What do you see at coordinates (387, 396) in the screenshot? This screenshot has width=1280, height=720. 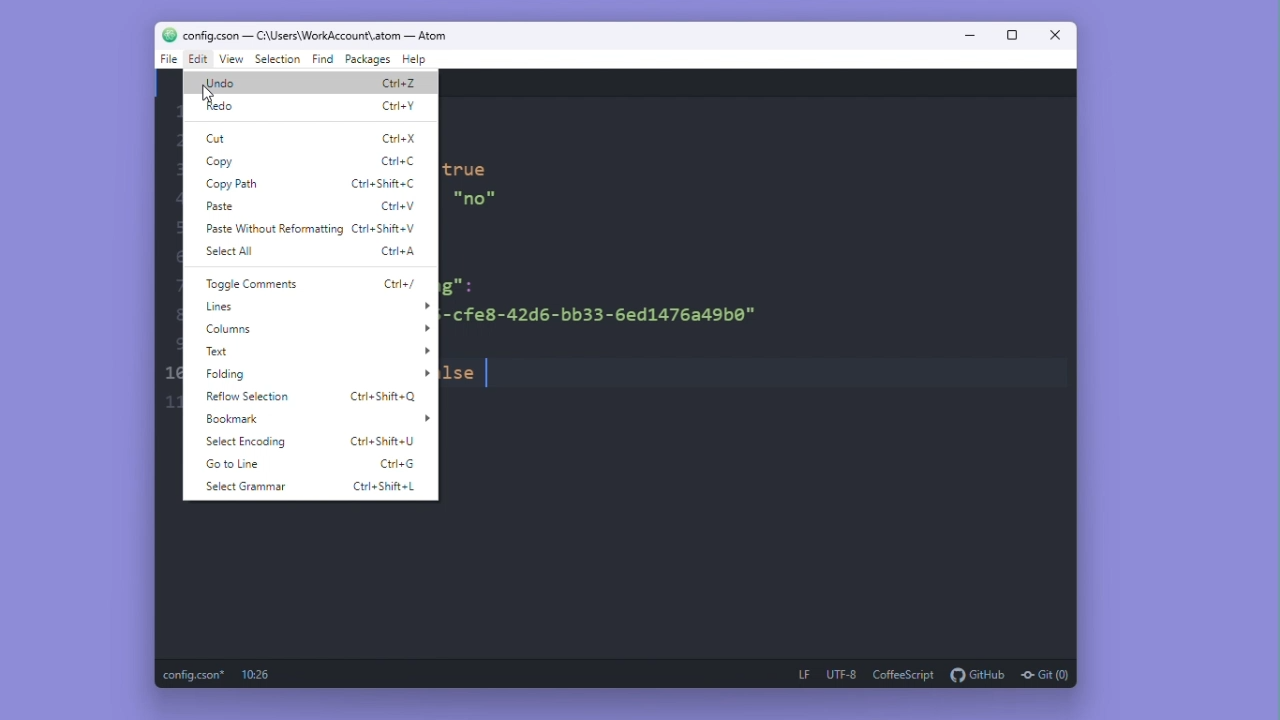 I see `ctrl+shift+q` at bounding box center [387, 396].